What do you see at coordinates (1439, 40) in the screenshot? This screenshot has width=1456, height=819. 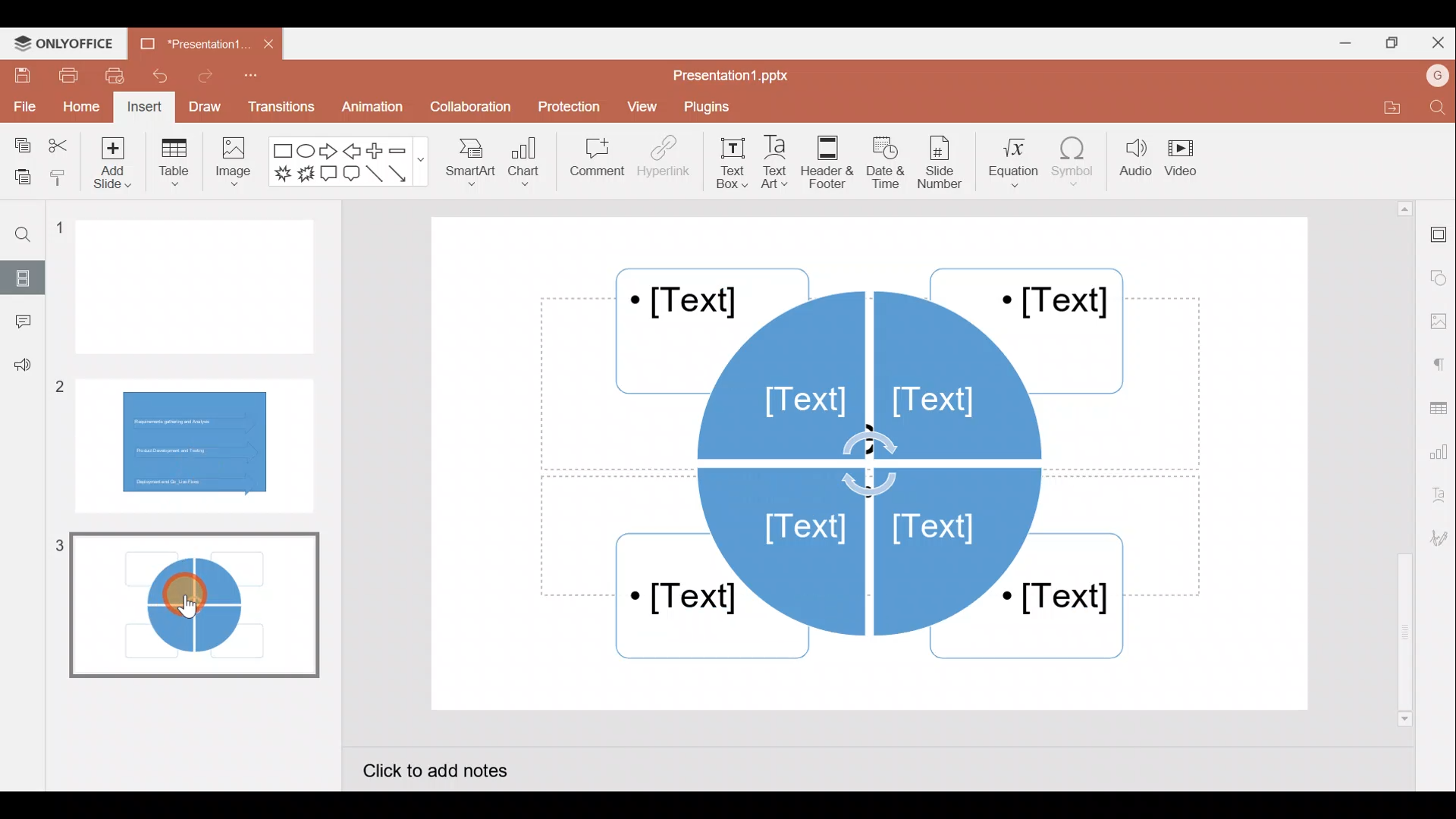 I see `Close` at bounding box center [1439, 40].